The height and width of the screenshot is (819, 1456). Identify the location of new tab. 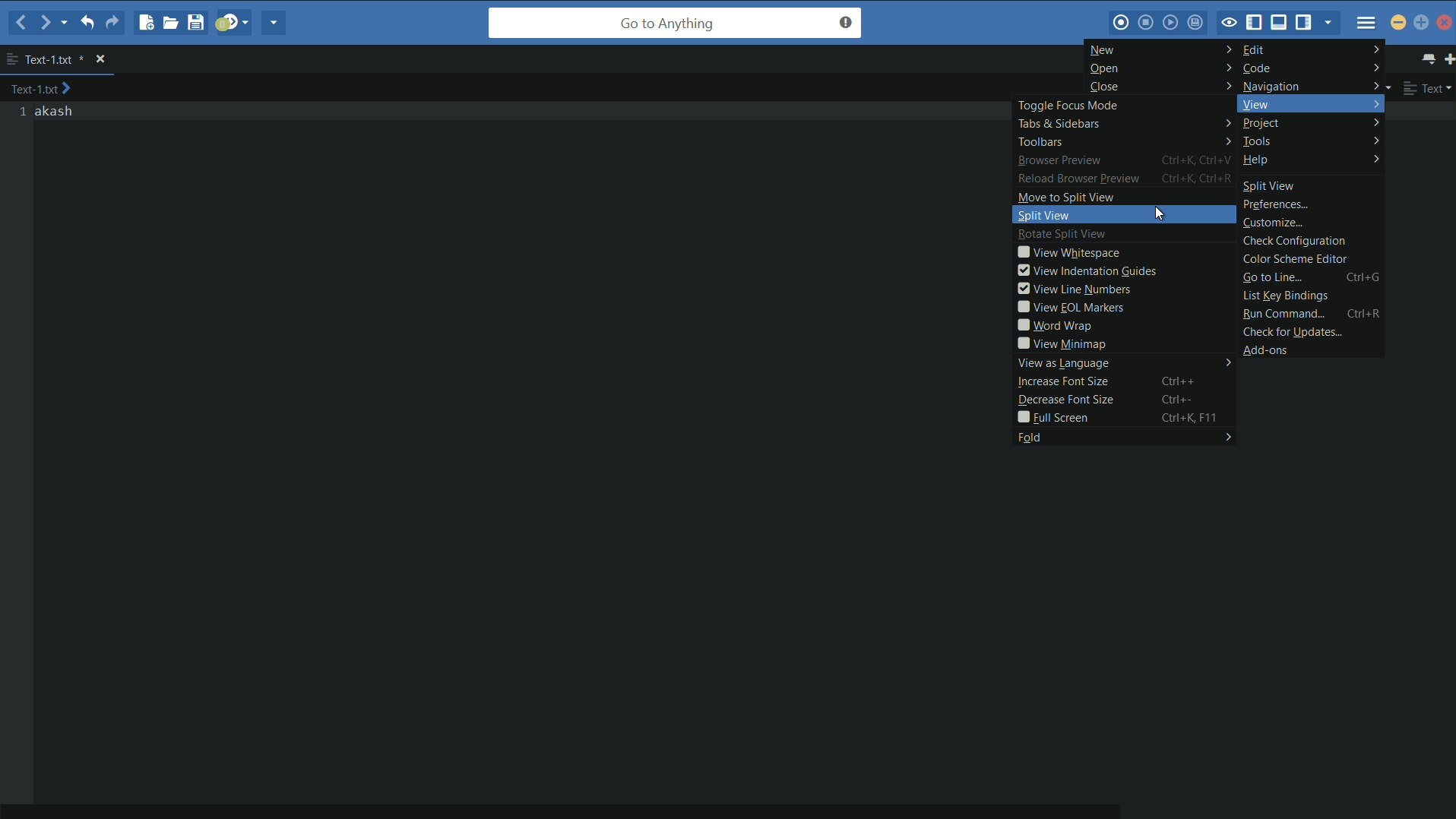
(1447, 58).